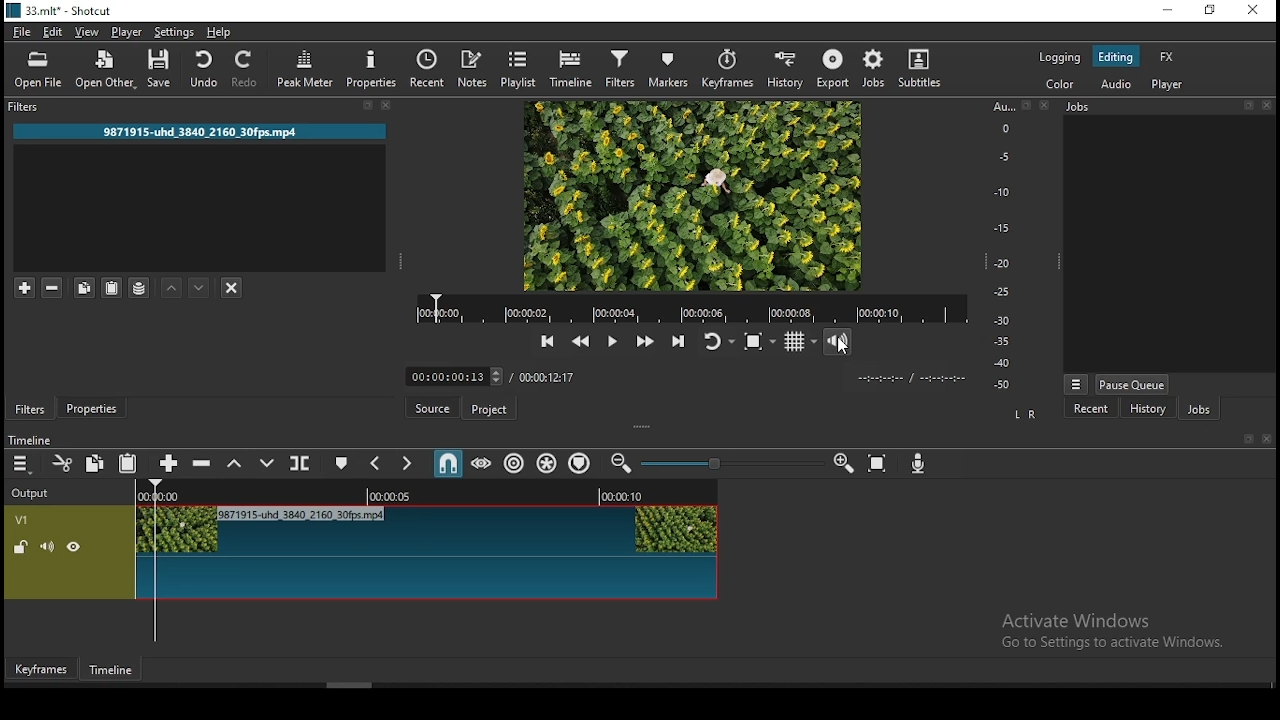  I want to click on remove selected filters, so click(53, 289).